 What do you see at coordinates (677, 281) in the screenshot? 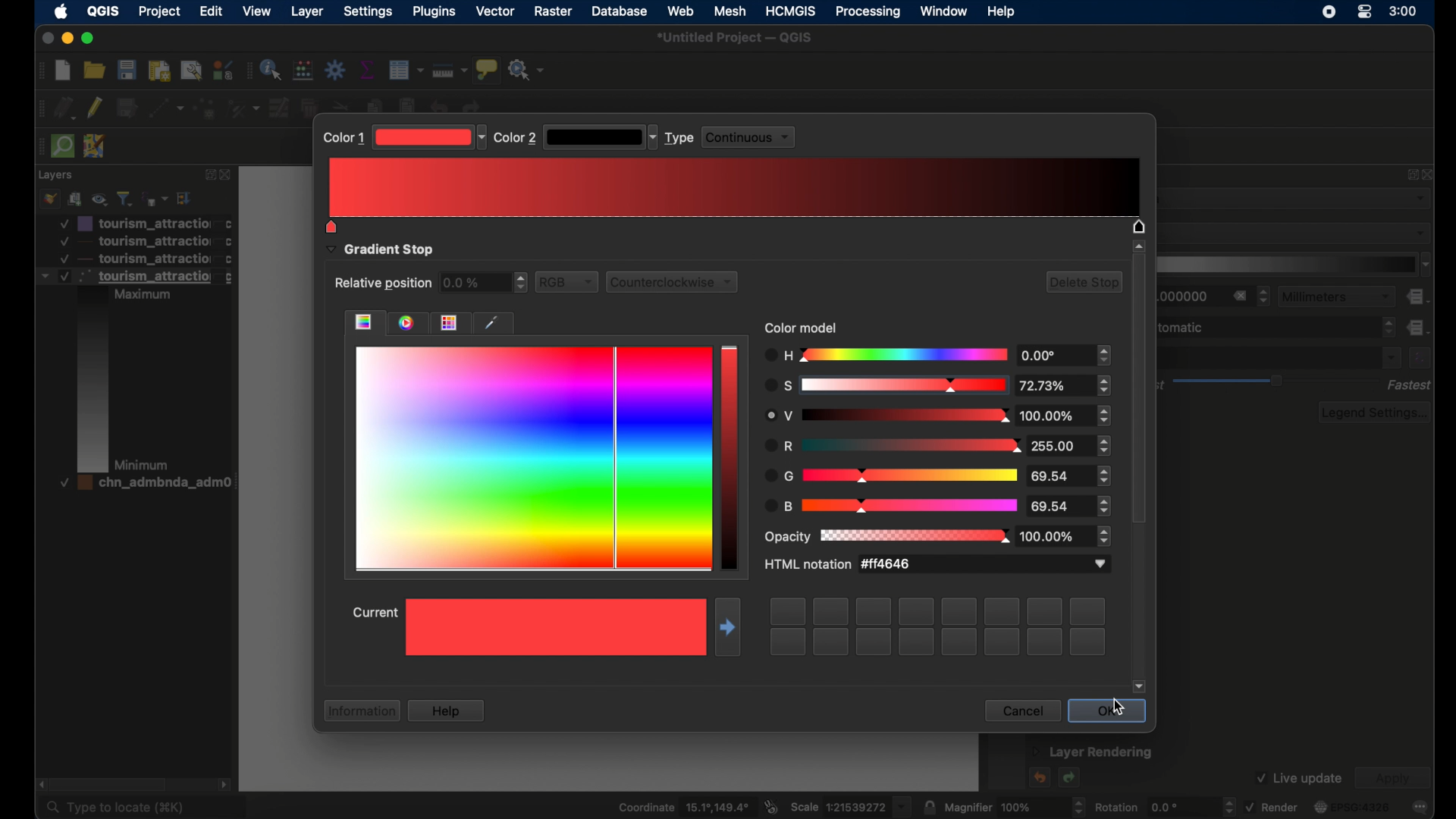
I see `counterclockwise dropdown` at bounding box center [677, 281].